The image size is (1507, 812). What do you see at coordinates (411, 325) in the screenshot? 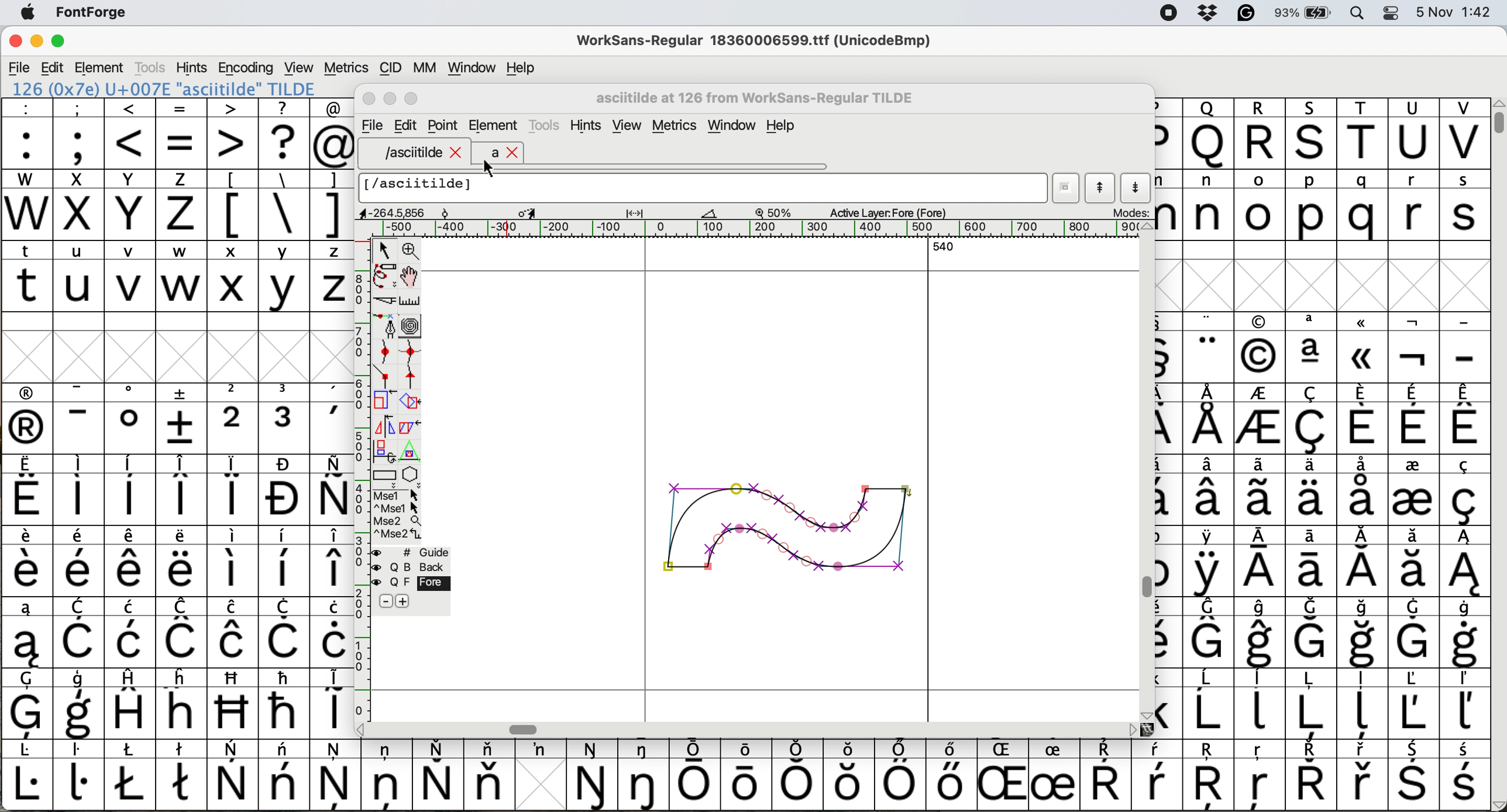
I see `change whether spiro is active or not` at bounding box center [411, 325].